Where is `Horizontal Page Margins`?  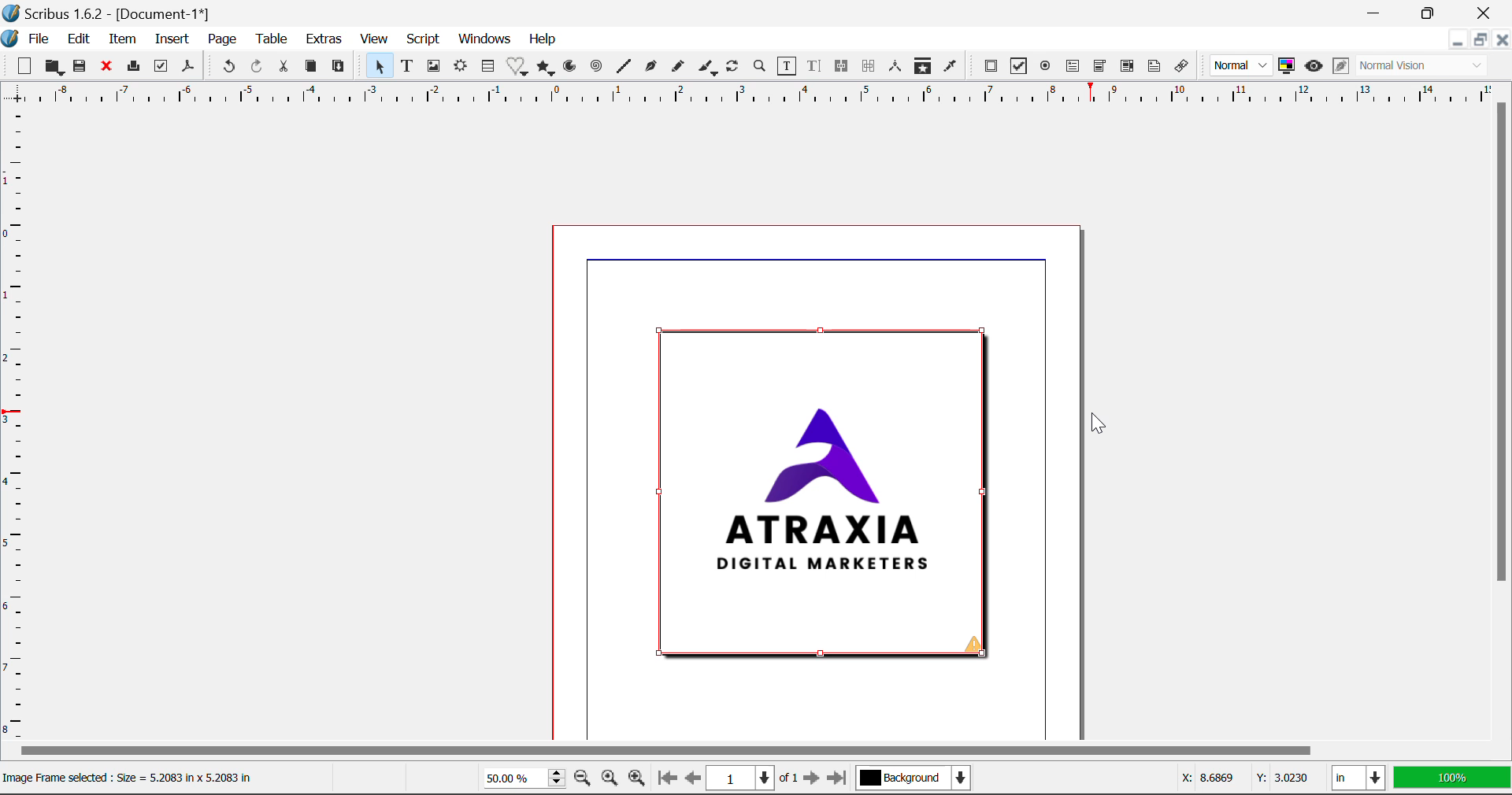 Horizontal Page Margins is located at coordinates (19, 429).